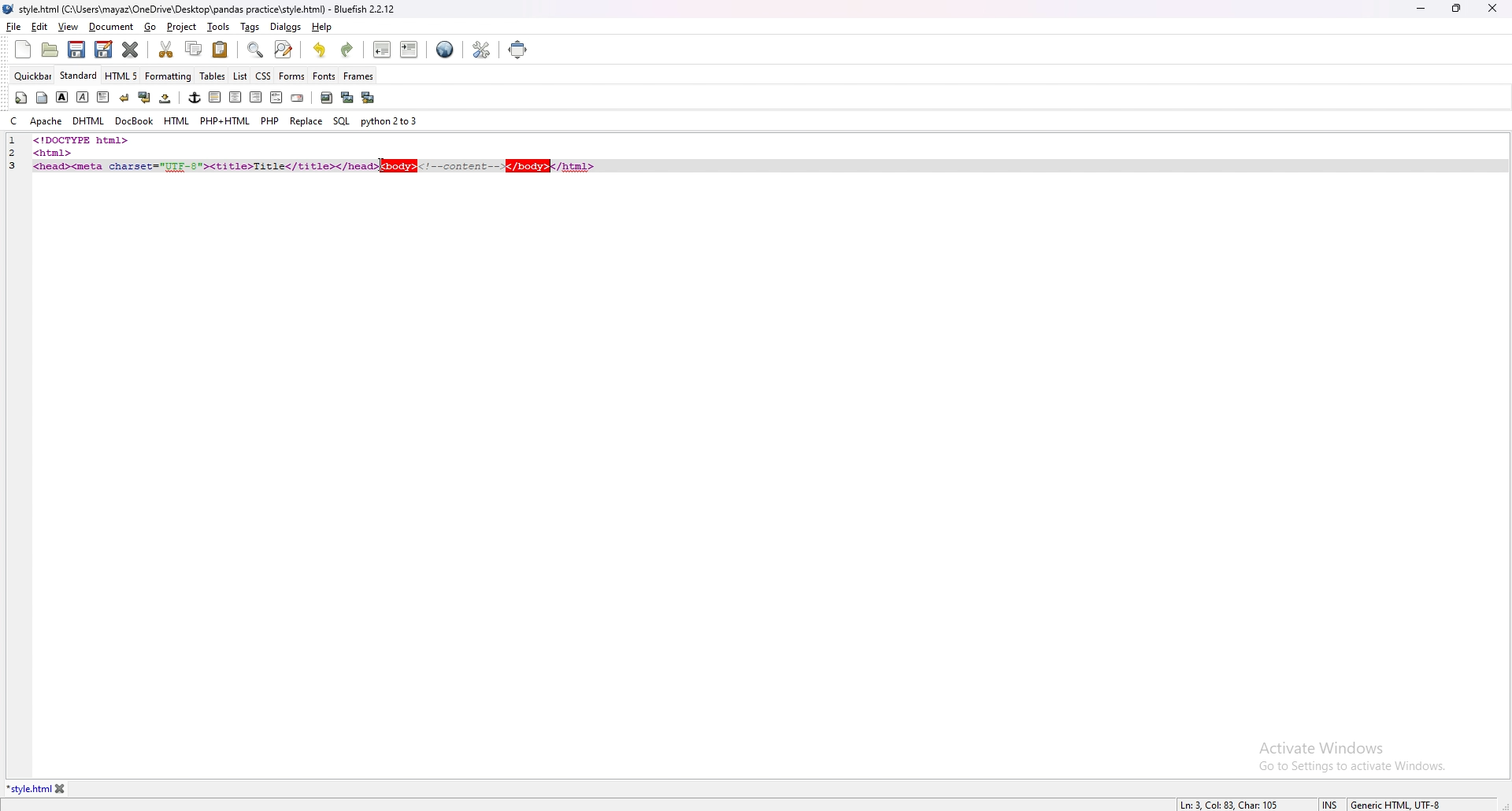 The width and height of the screenshot is (1512, 811). Describe the element at coordinates (270, 120) in the screenshot. I see `php` at that location.